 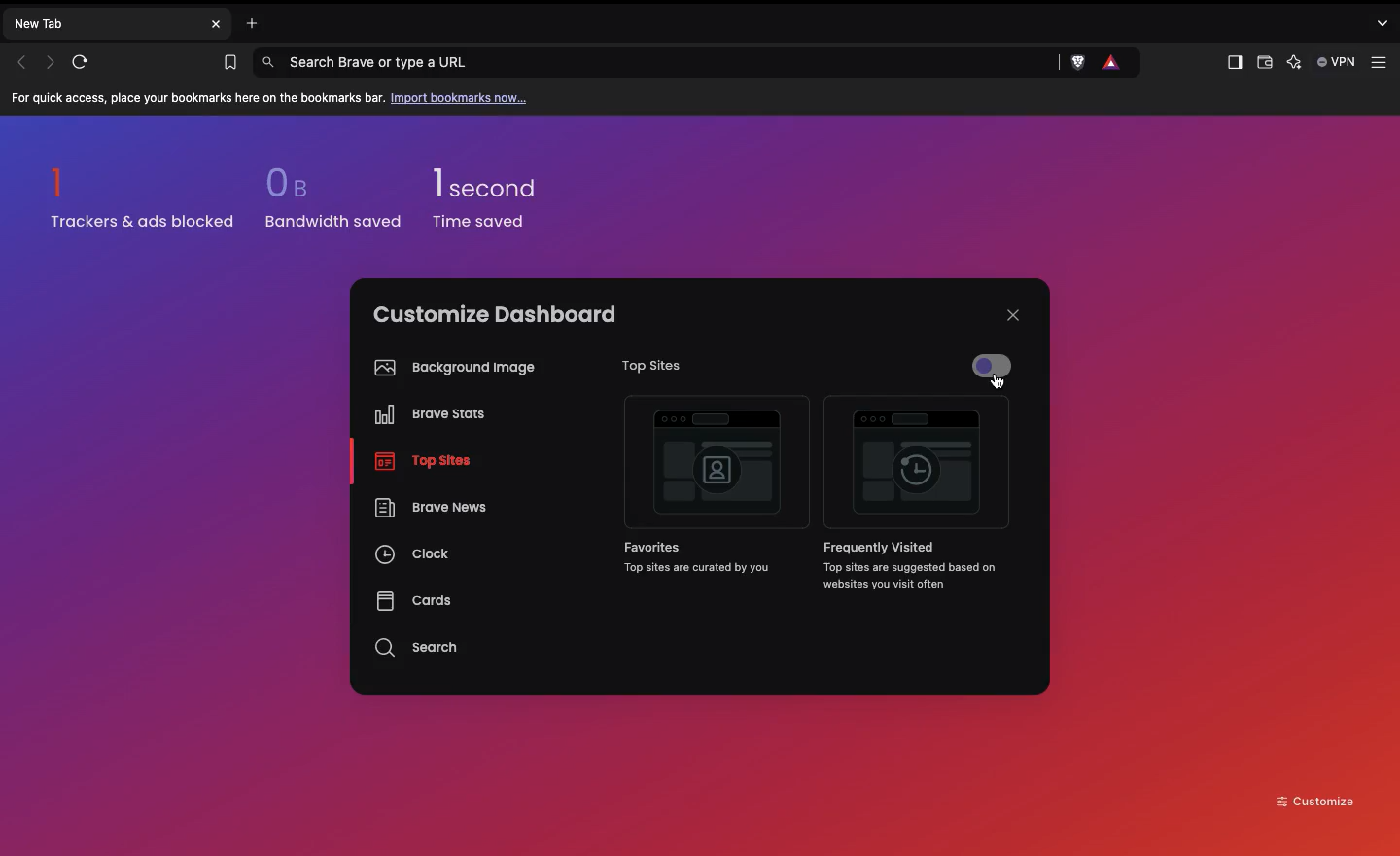 What do you see at coordinates (1382, 63) in the screenshot?
I see `Customize and control Brave` at bounding box center [1382, 63].